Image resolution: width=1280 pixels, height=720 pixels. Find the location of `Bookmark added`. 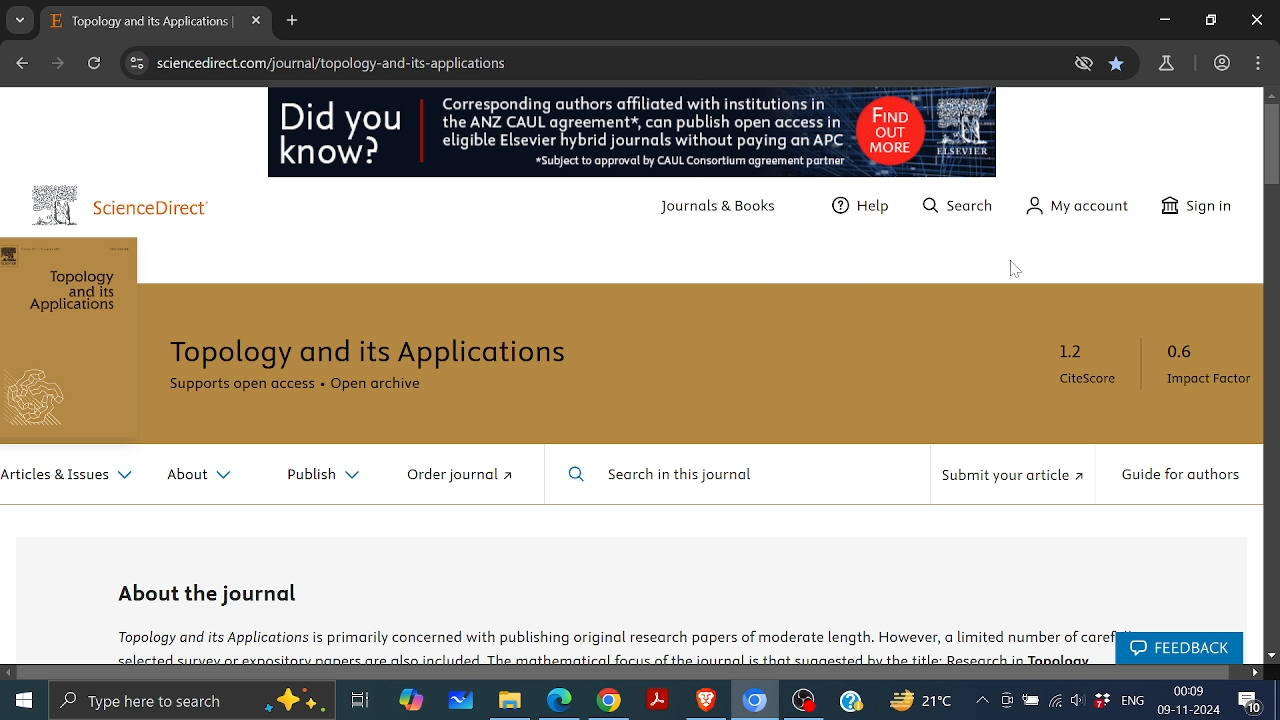

Bookmark added is located at coordinates (1119, 65).